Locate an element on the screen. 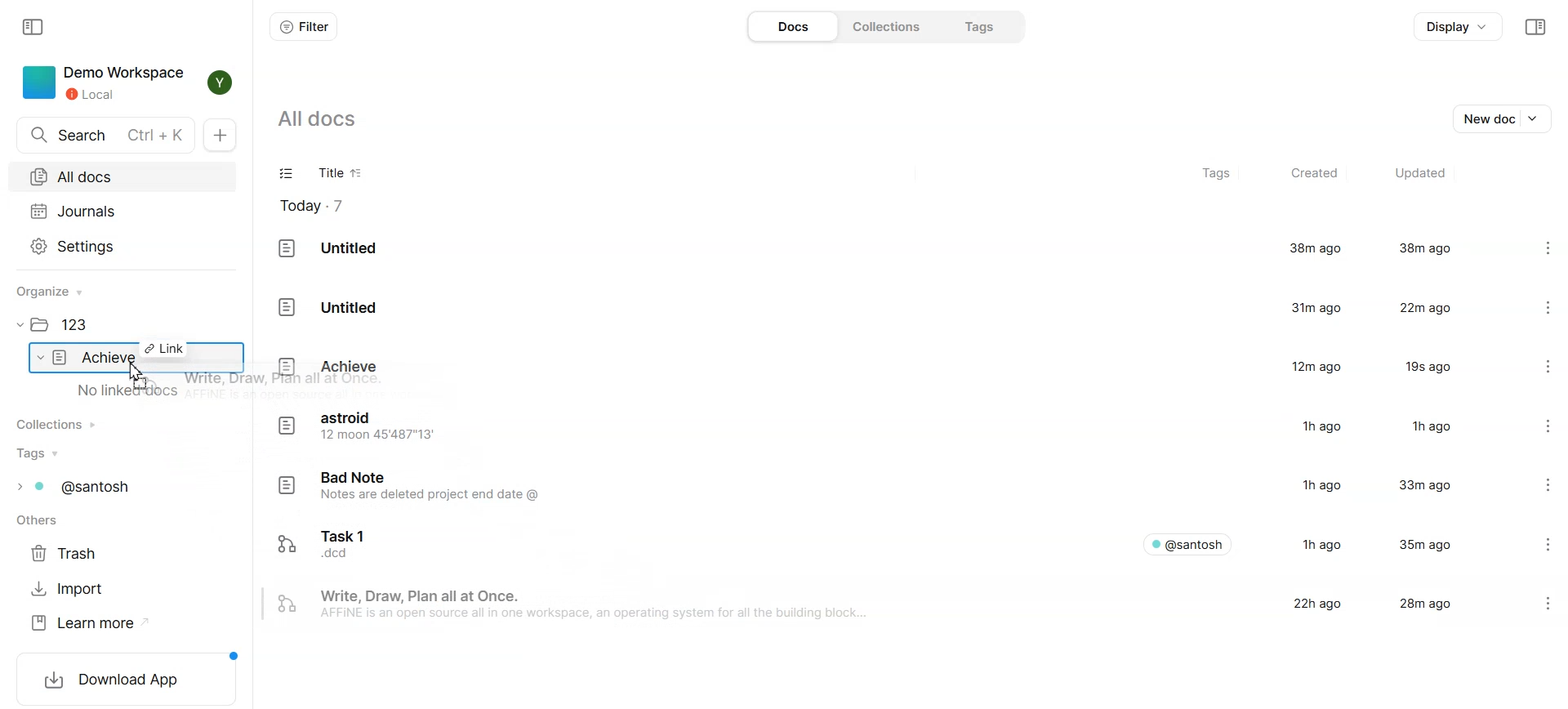 Image resolution: width=1568 pixels, height=709 pixels. Doc file is located at coordinates (878, 367).